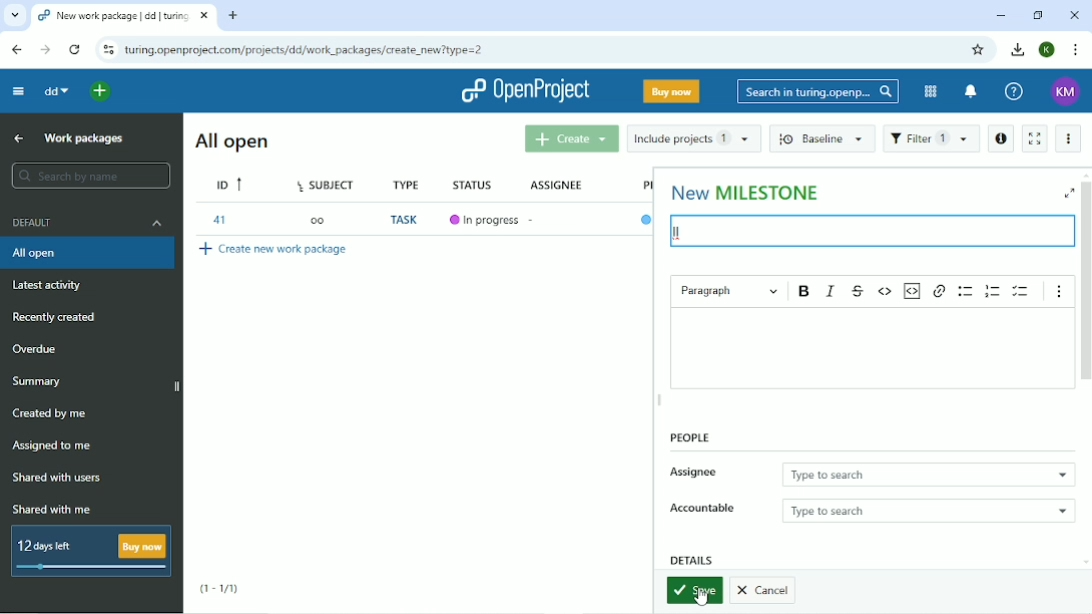 The height and width of the screenshot is (614, 1092). What do you see at coordinates (570, 139) in the screenshot?
I see `Create` at bounding box center [570, 139].